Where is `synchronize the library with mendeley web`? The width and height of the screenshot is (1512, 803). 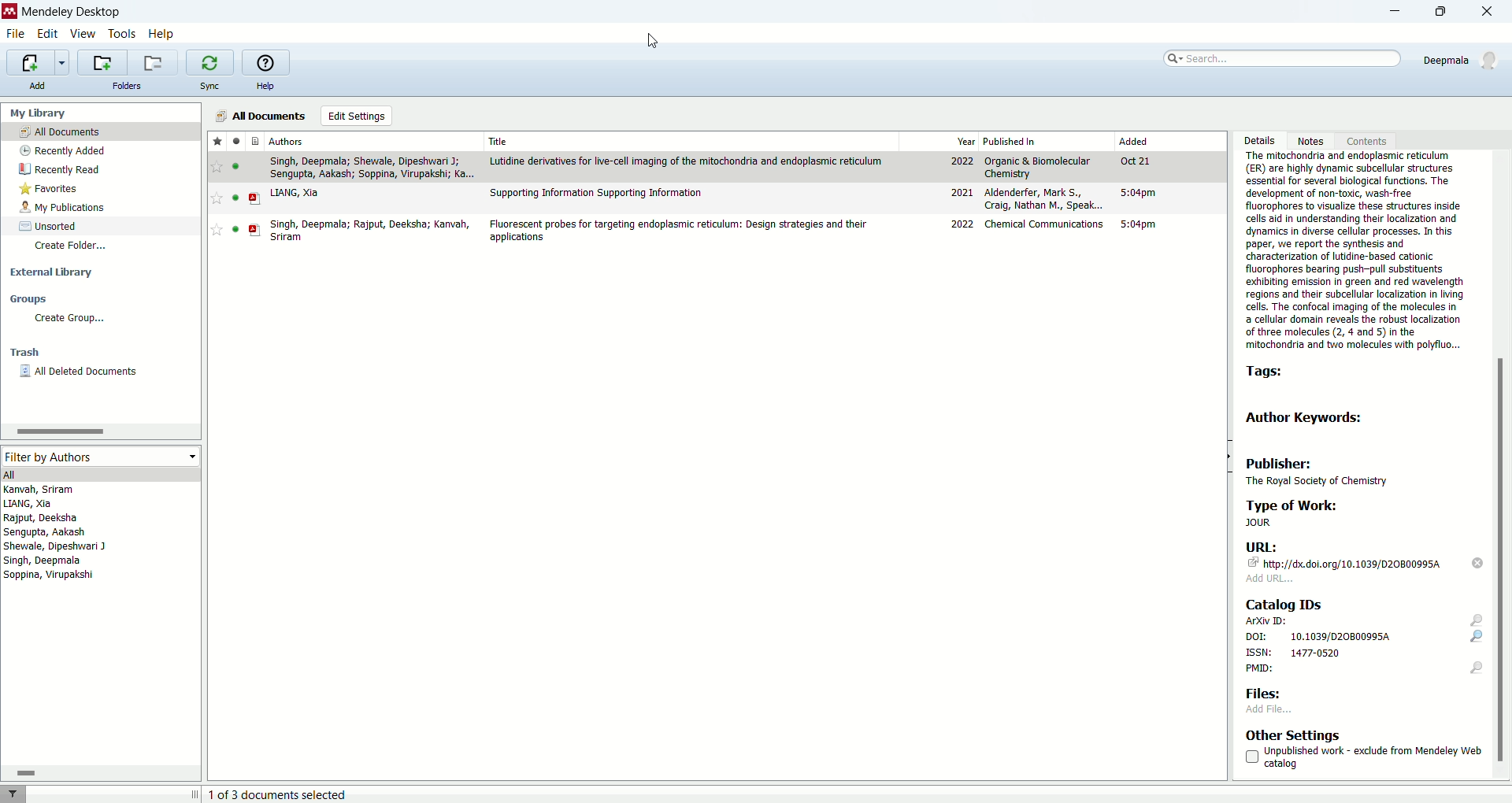
synchronize the library with mendeley web is located at coordinates (210, 63).